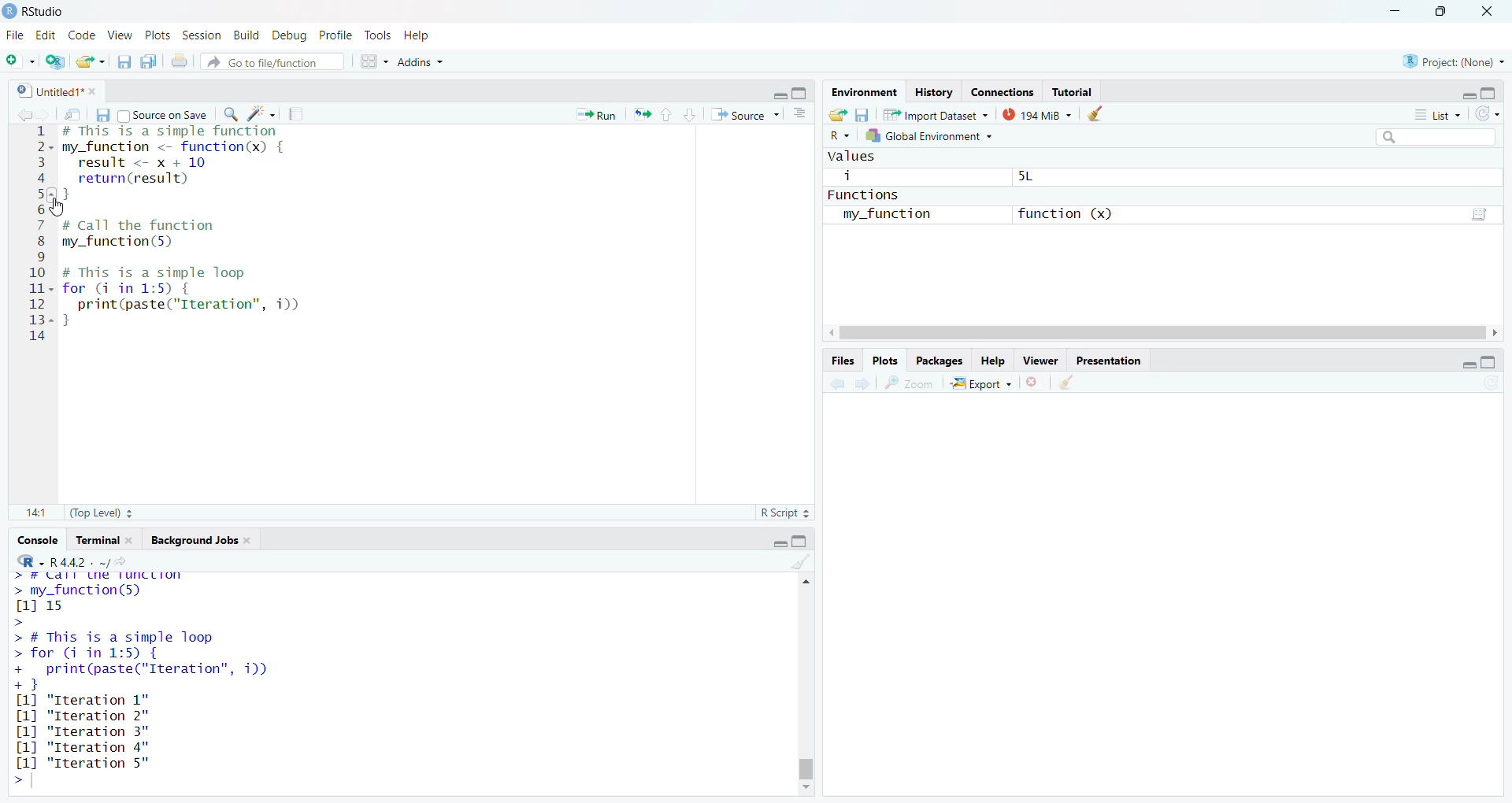 The height and width of the screenshot is (803, 1512). Describe the element at coordinates (102, 113) in the screenshot. I see `save current document` at that location.